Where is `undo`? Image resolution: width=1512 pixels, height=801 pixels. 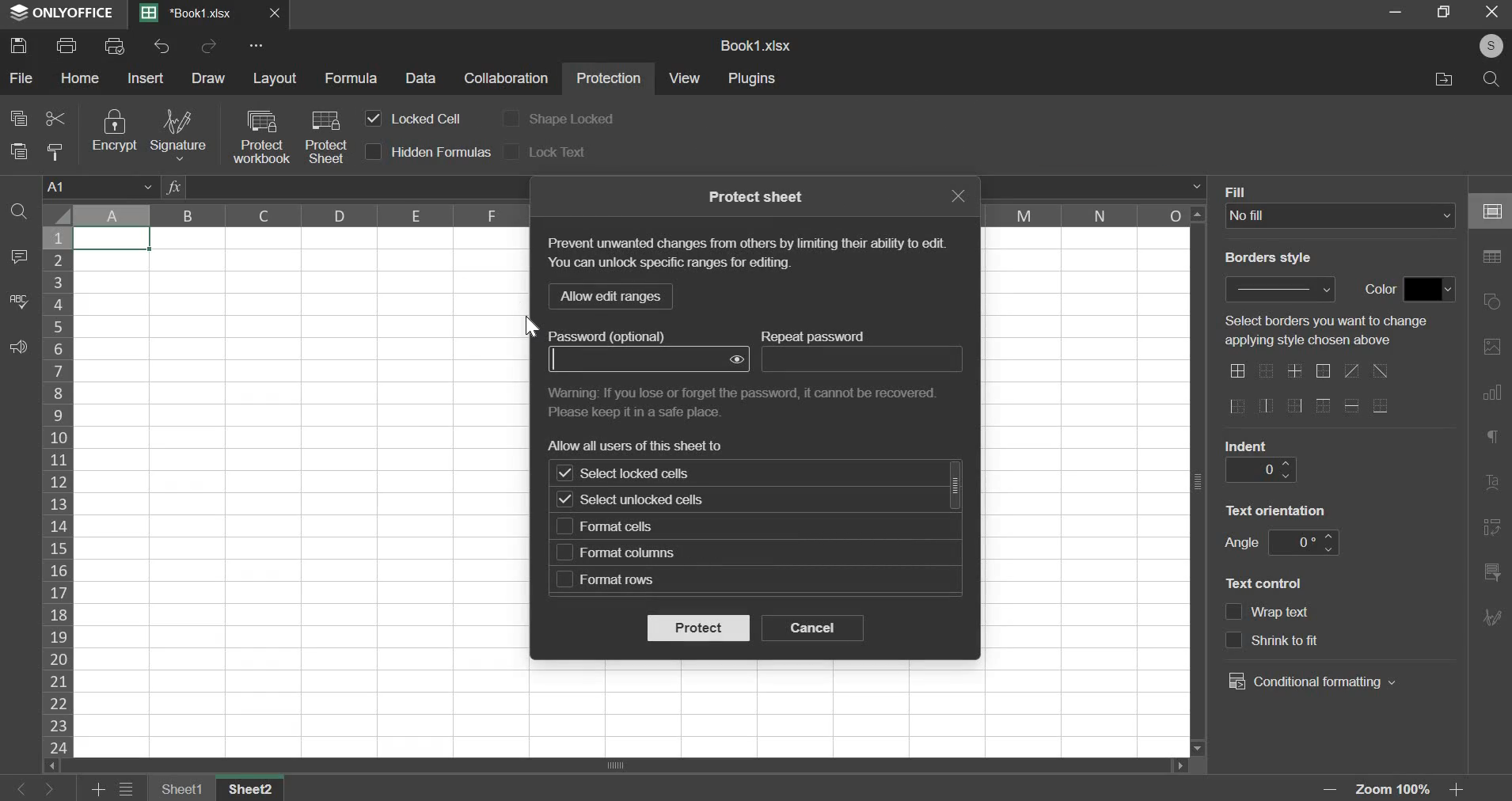
undo is located at coordinates (162, 46).